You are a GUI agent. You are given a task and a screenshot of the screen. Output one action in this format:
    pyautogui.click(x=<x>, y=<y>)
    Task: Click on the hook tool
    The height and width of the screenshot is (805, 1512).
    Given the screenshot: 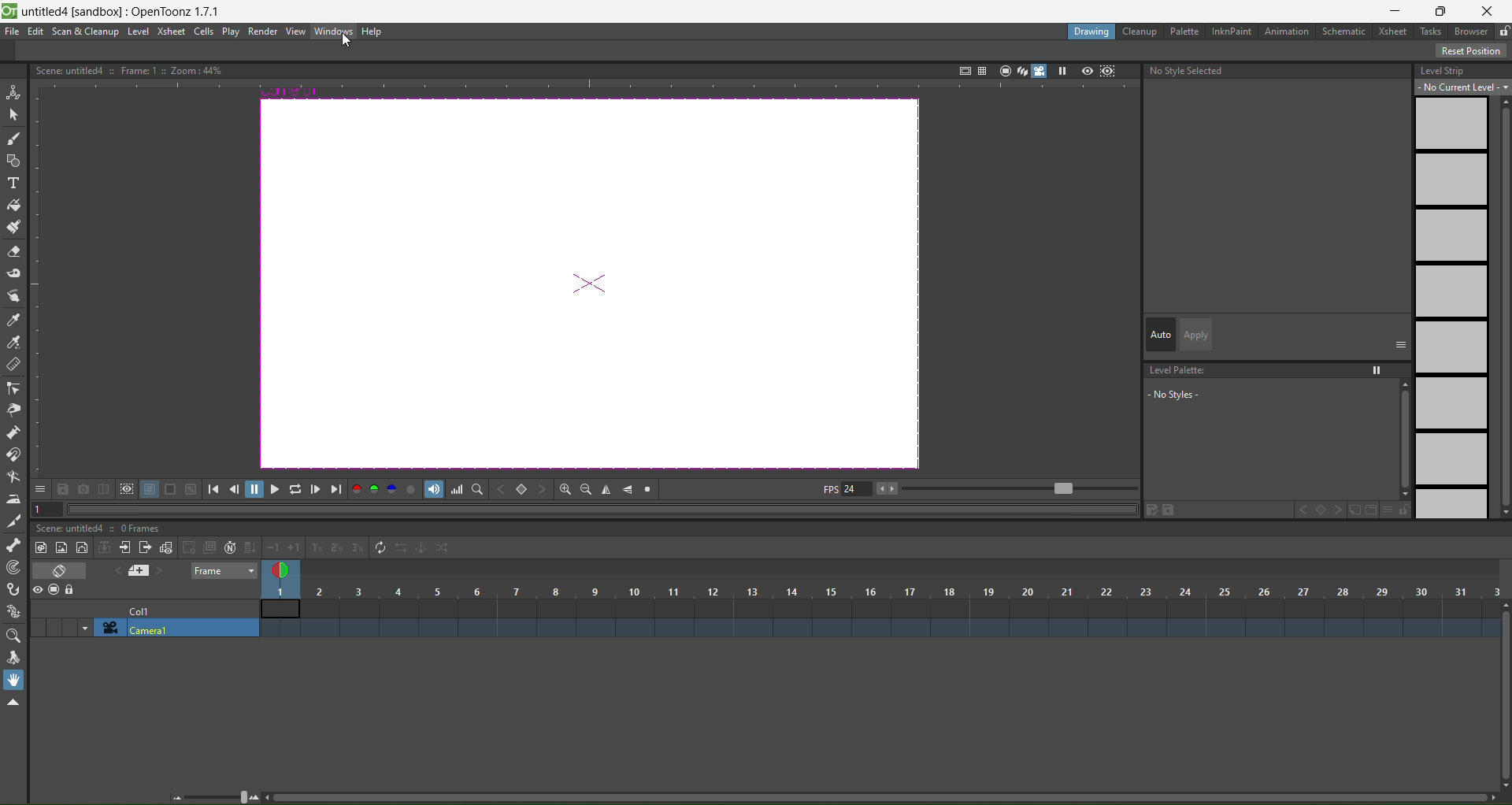 What is the action you would take?
    pyautogui.click(x=15, y=590)
    